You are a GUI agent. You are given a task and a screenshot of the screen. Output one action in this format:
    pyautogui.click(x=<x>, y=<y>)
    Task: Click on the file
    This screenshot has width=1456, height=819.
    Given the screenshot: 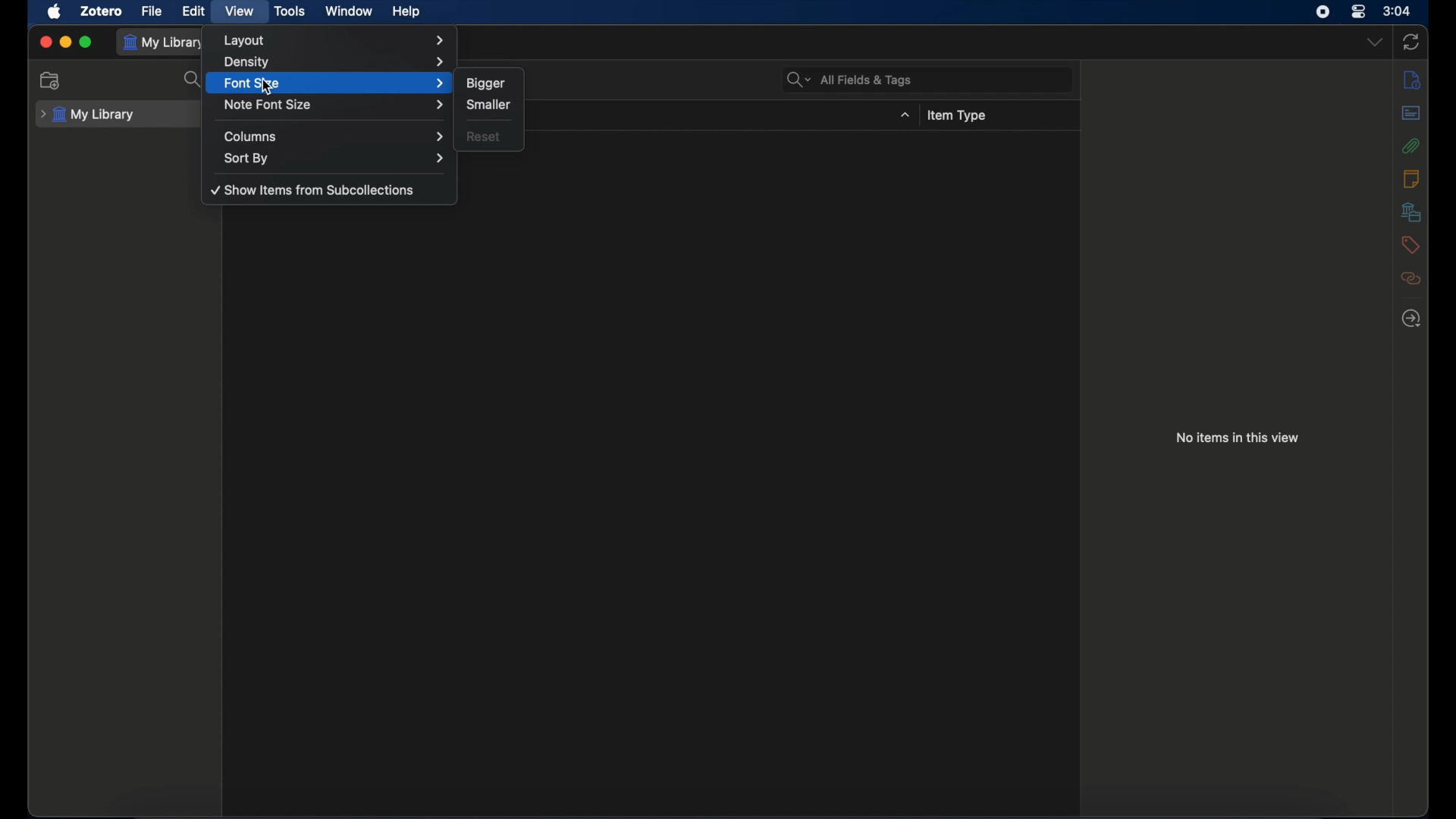 What is the action you would take?
    pyautogui.click(x=152, y=11)
    